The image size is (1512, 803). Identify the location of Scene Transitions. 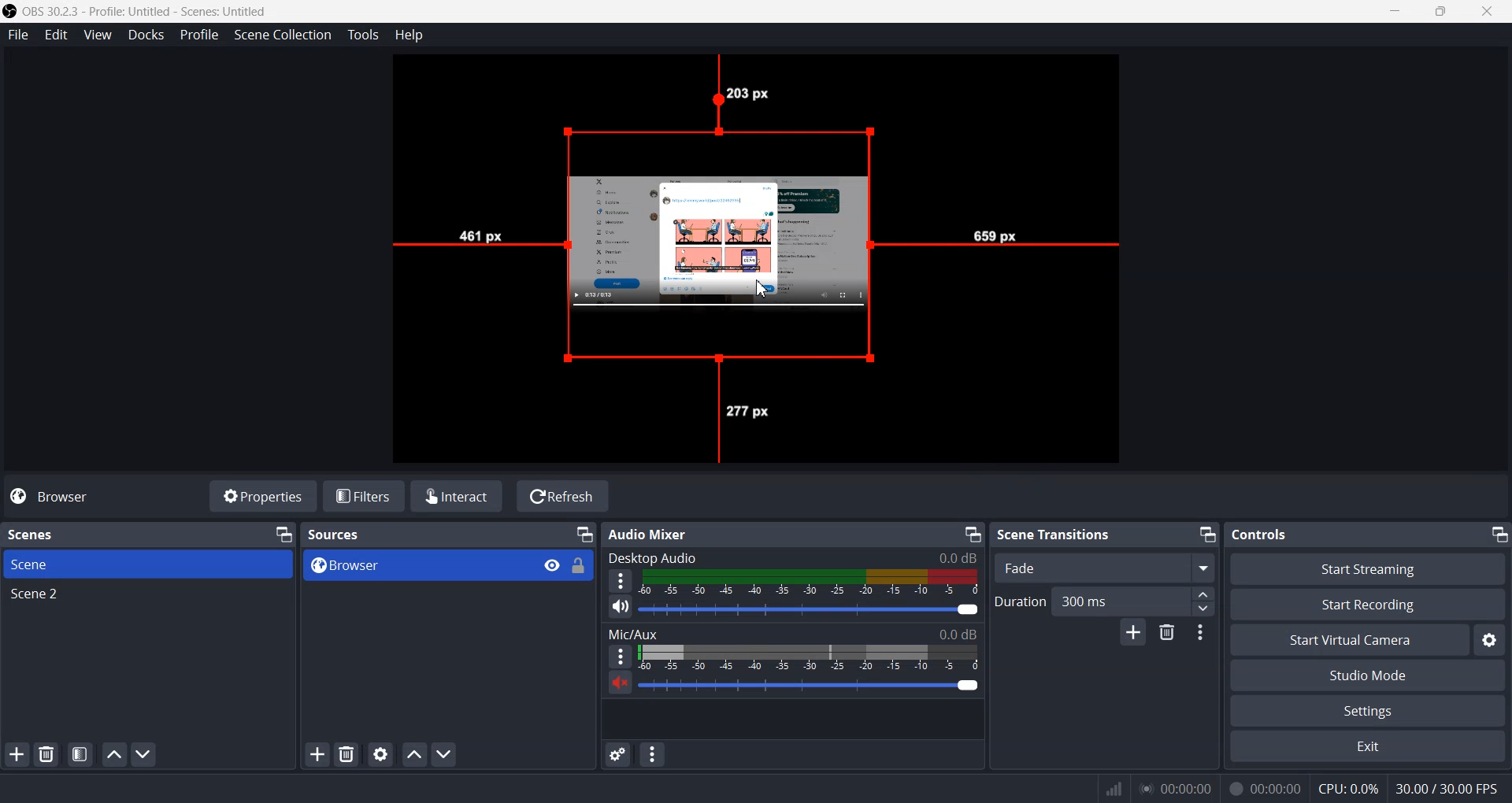
(1055, 535).